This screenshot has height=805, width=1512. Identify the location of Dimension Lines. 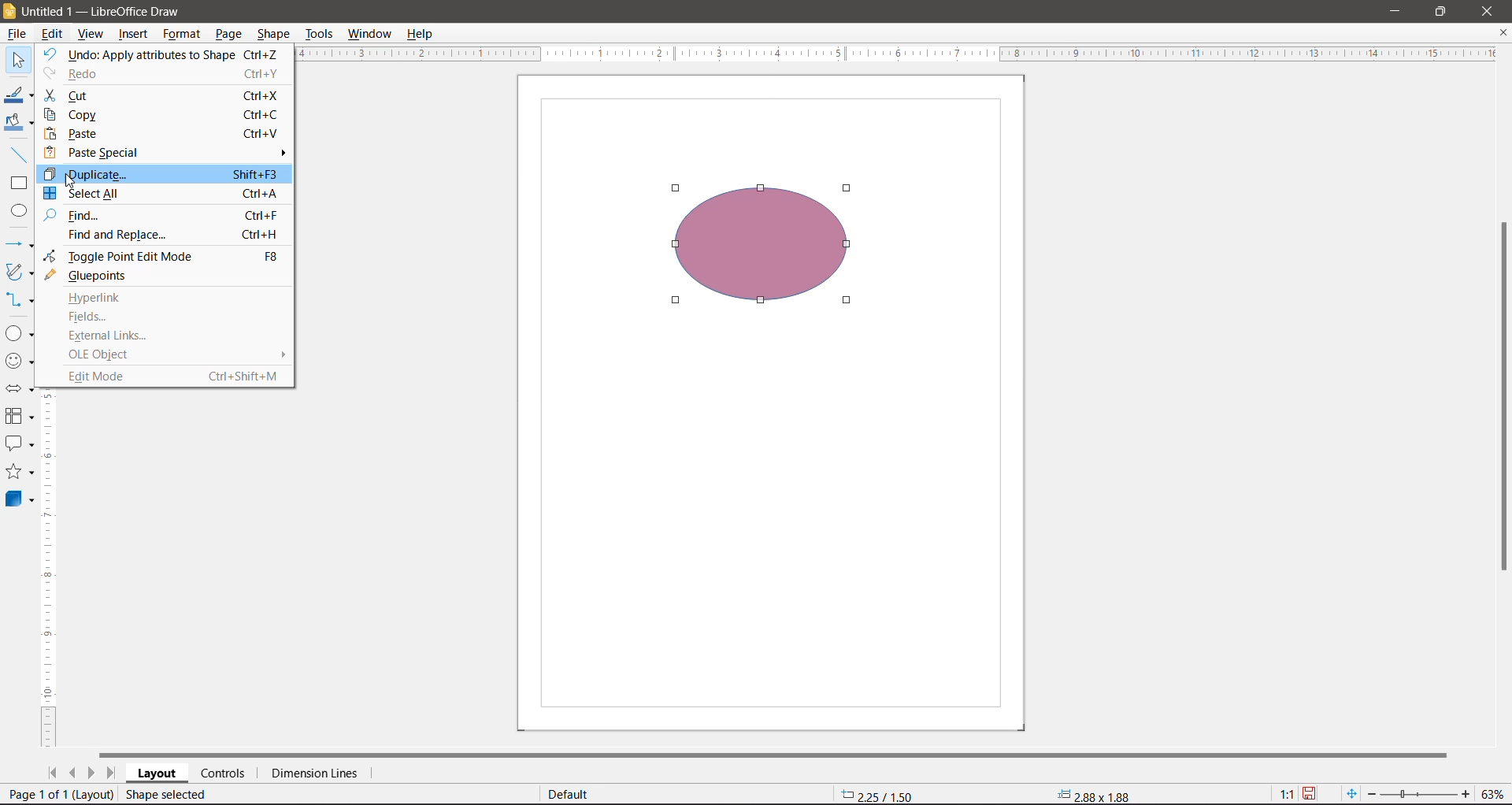
(318, 773).